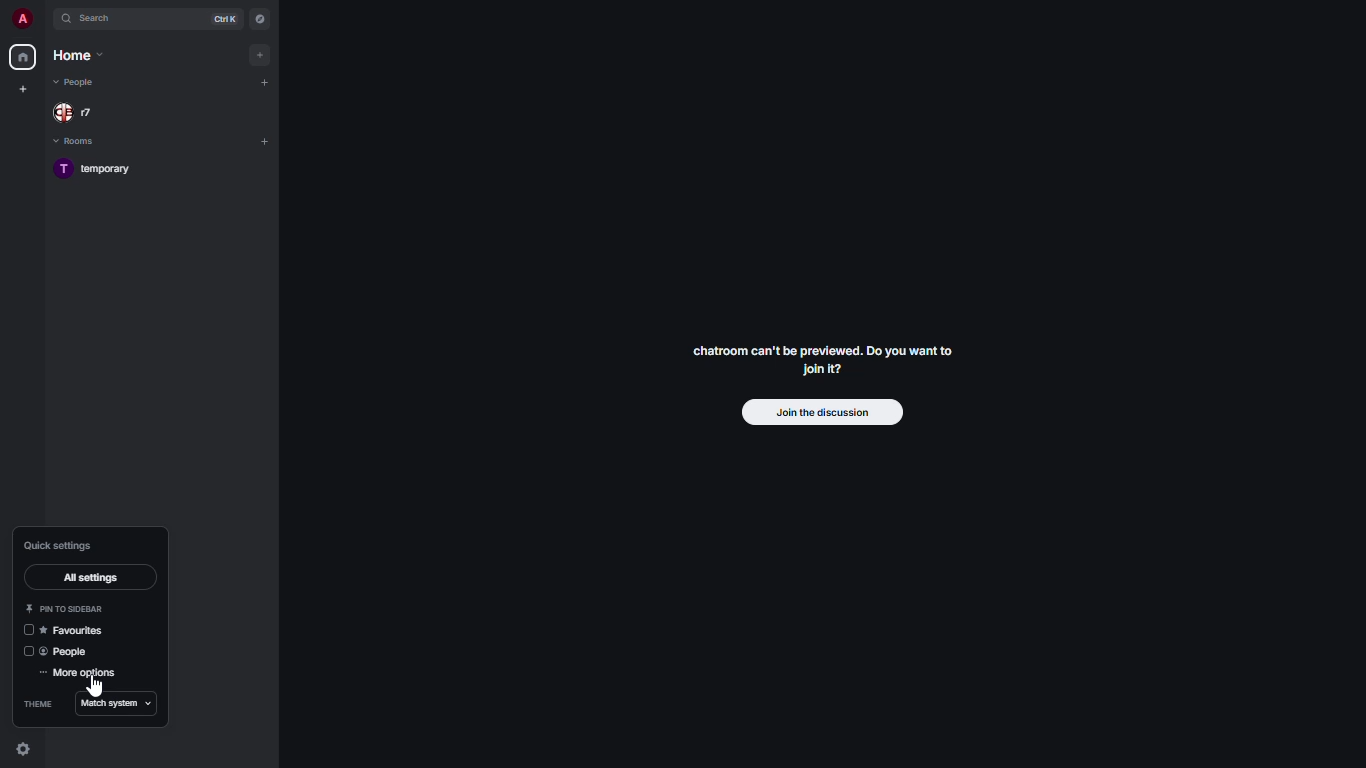 The image size is (1366, 768). I want to click on add, so click(265, 80).